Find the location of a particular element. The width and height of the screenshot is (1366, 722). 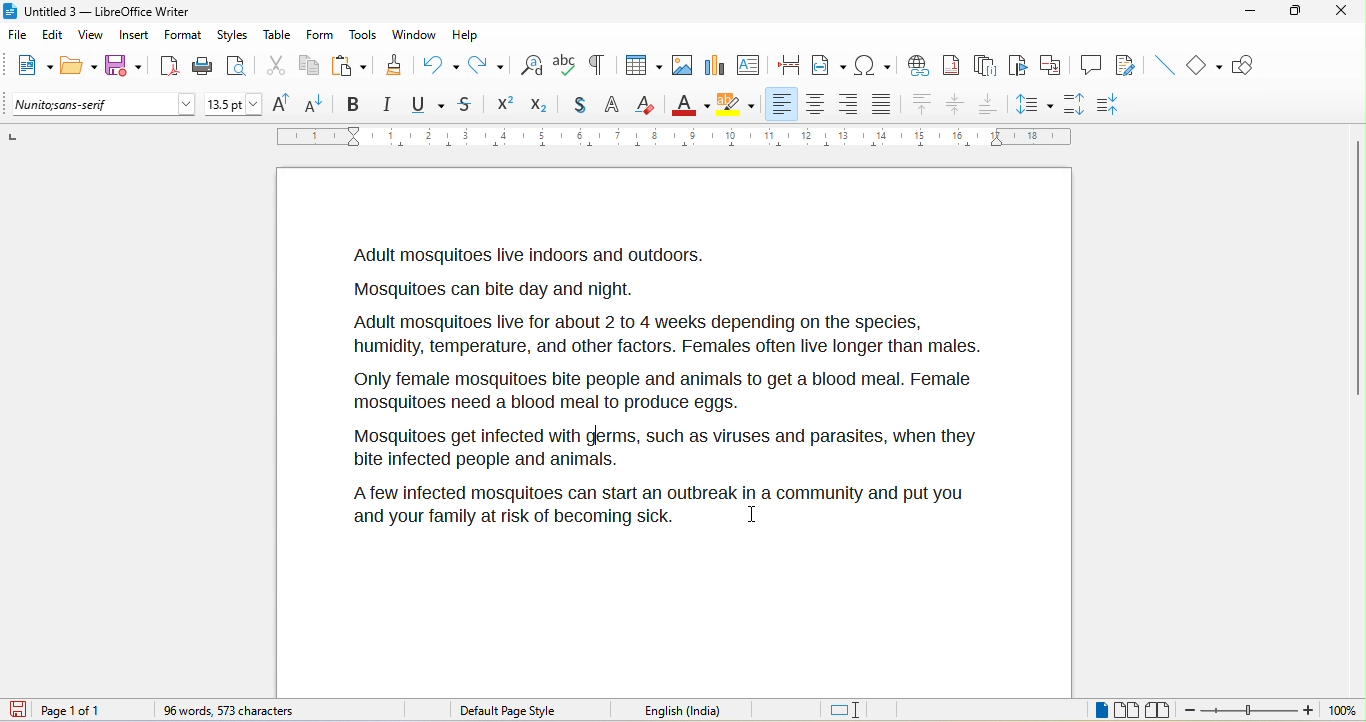

close is located at coordinates (1342, 15).